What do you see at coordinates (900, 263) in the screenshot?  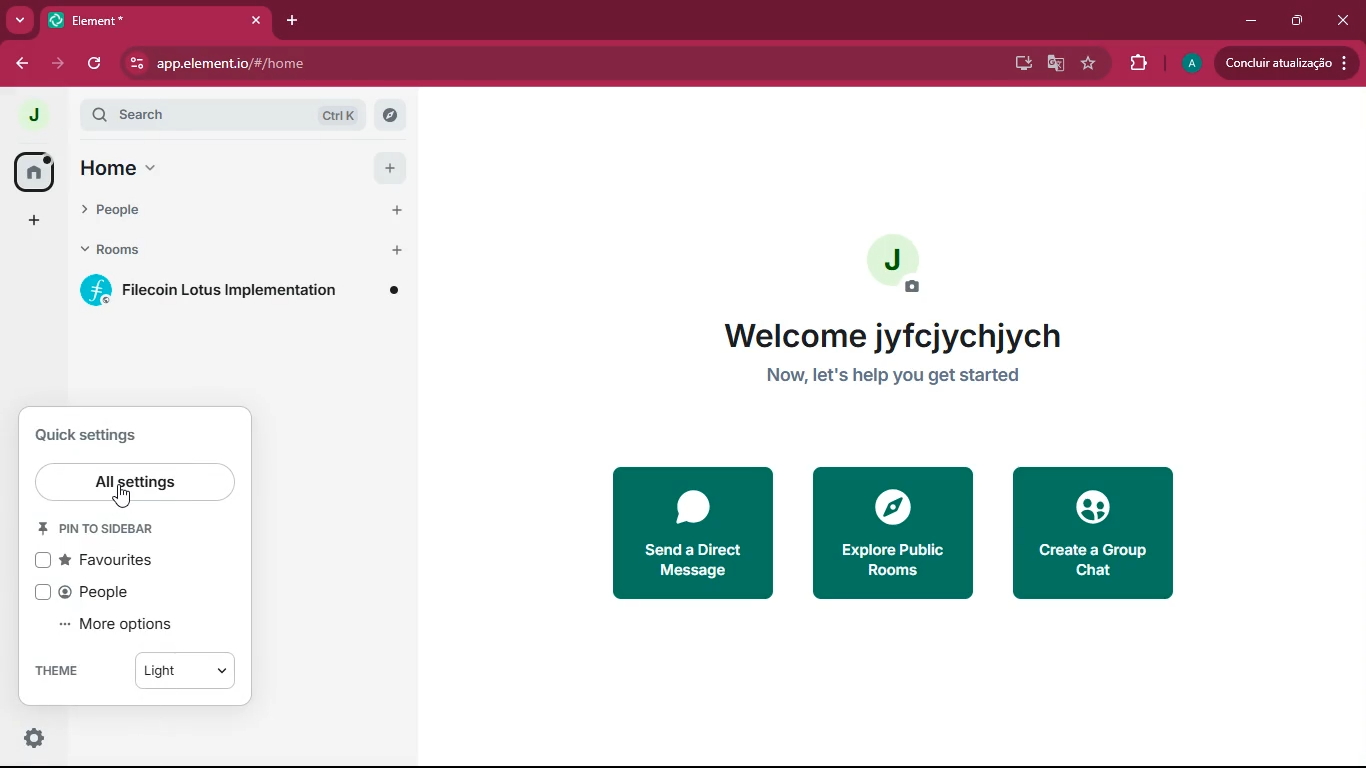 I see `profile picture` at bounding box center [900, 263].